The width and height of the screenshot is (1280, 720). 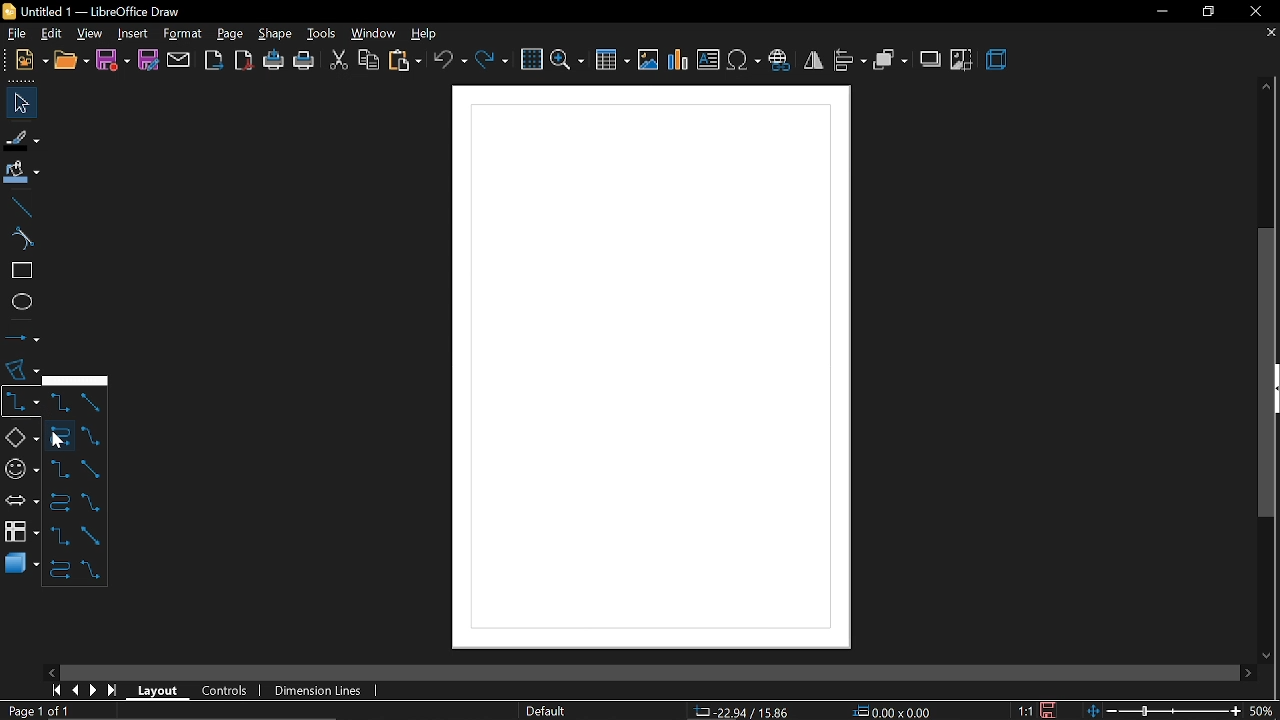 I want to click on crop, so click(x=962, y=60).